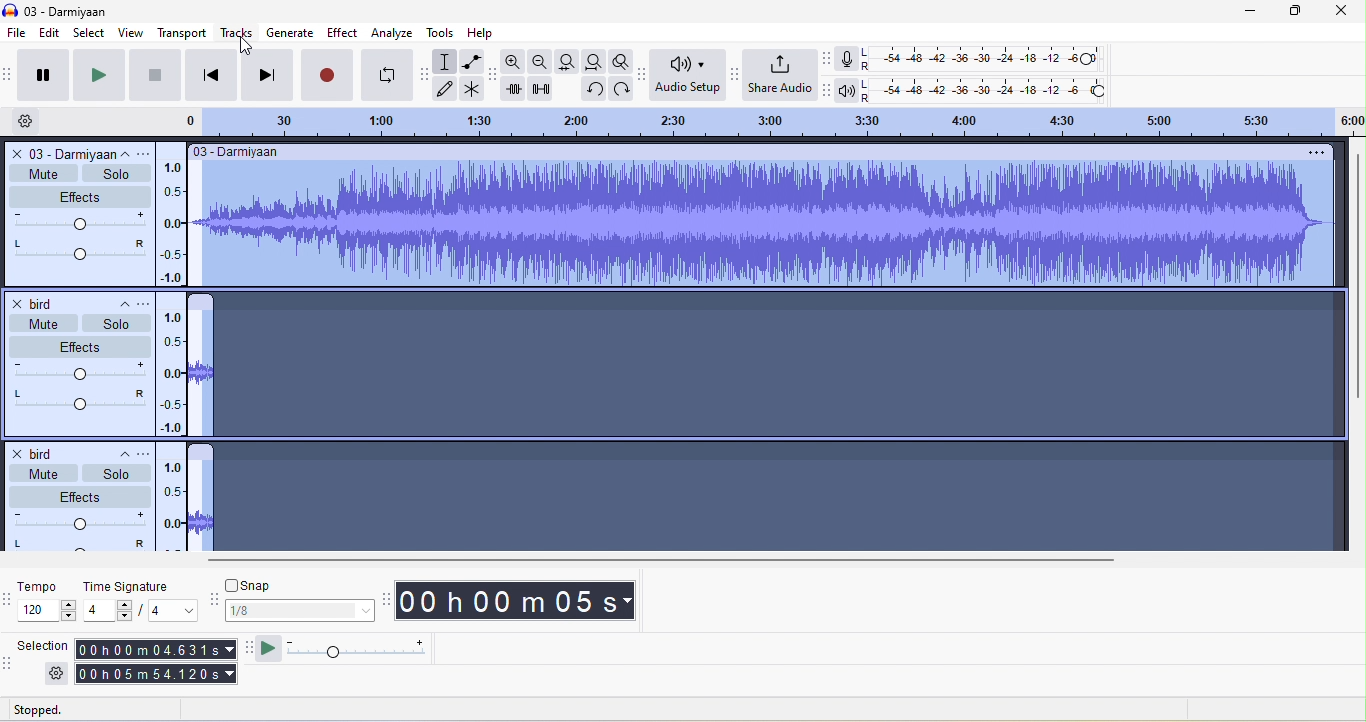  What do you see at coordinates (248, 649) in the screenshot?
I see `audacity play at speed toolbar` at bounding box center [248, 649].